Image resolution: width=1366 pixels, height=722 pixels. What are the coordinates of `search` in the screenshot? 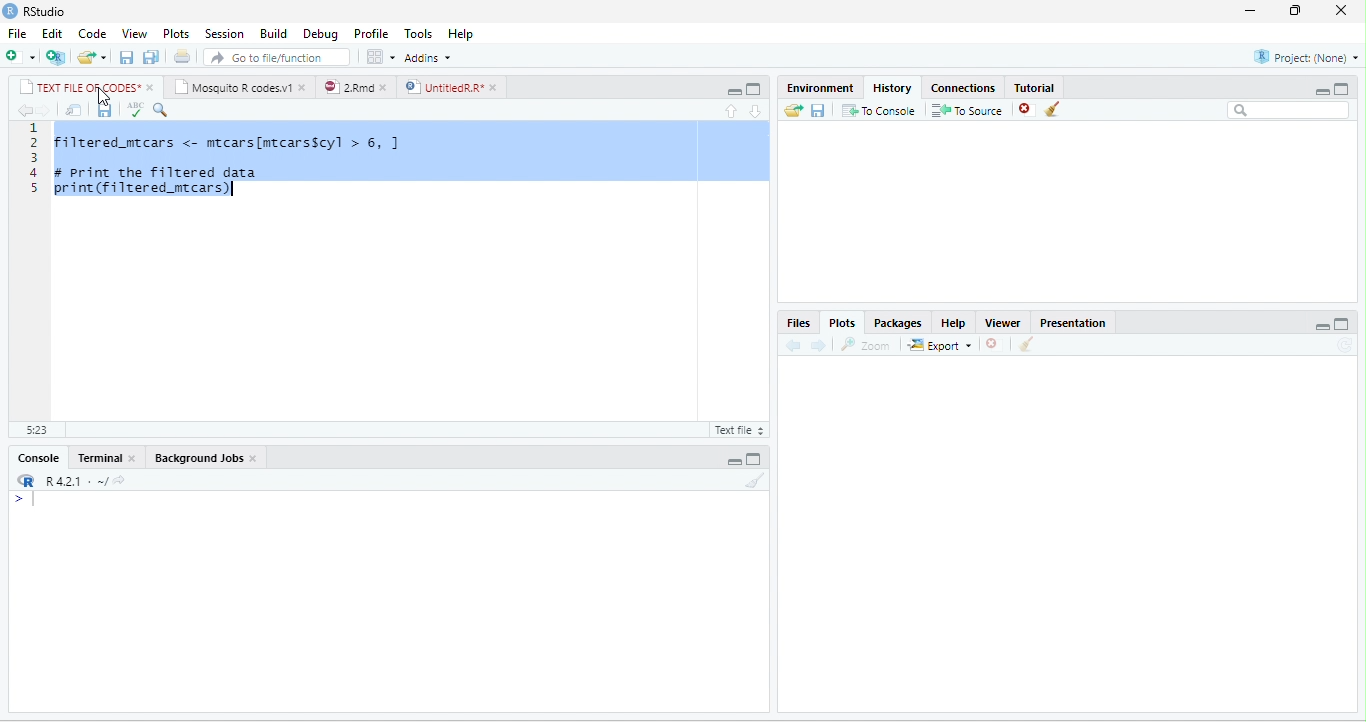 It's located at (160, 110).